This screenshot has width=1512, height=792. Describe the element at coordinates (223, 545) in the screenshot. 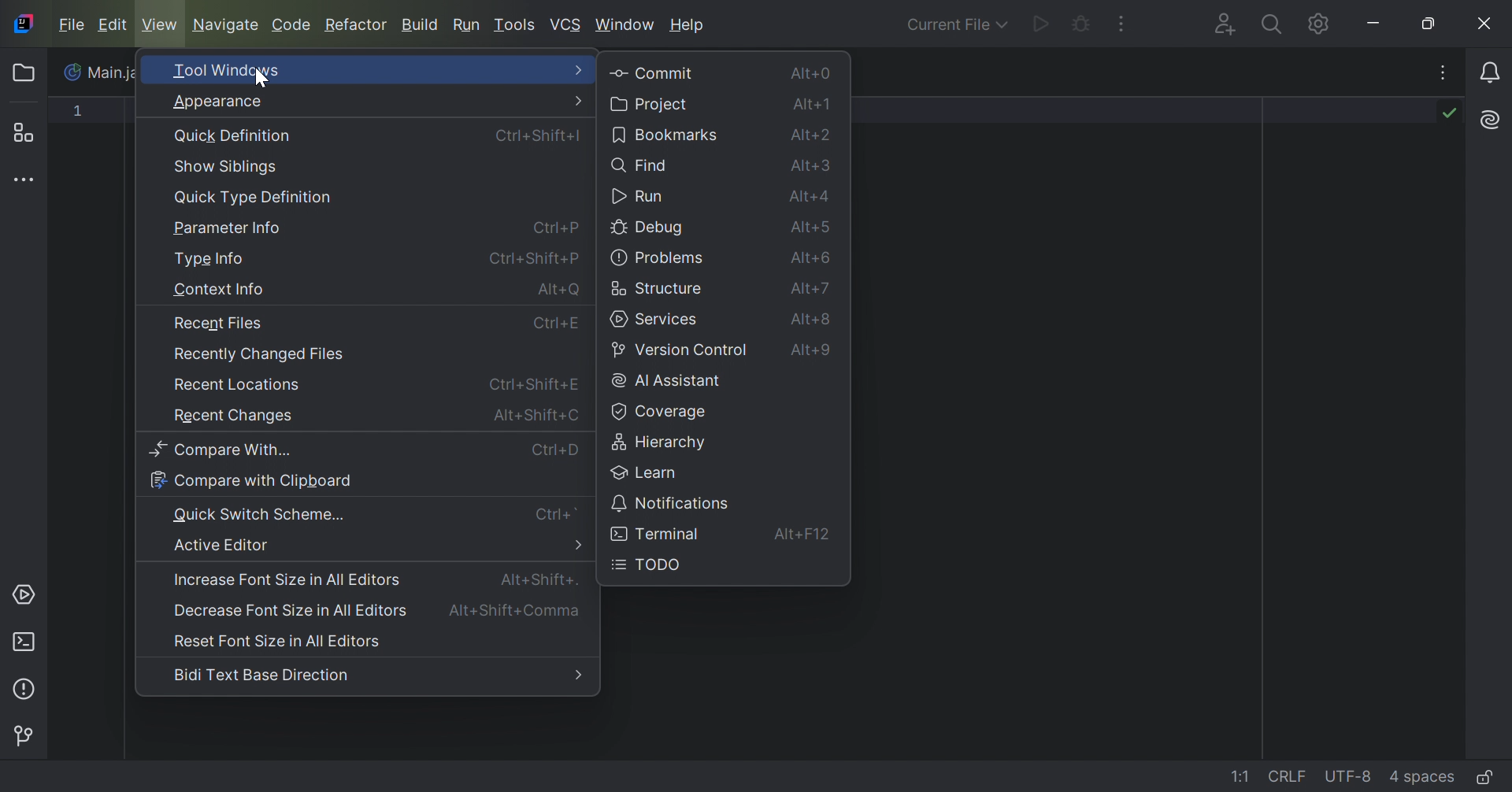

I see `Active Editor` at that location.